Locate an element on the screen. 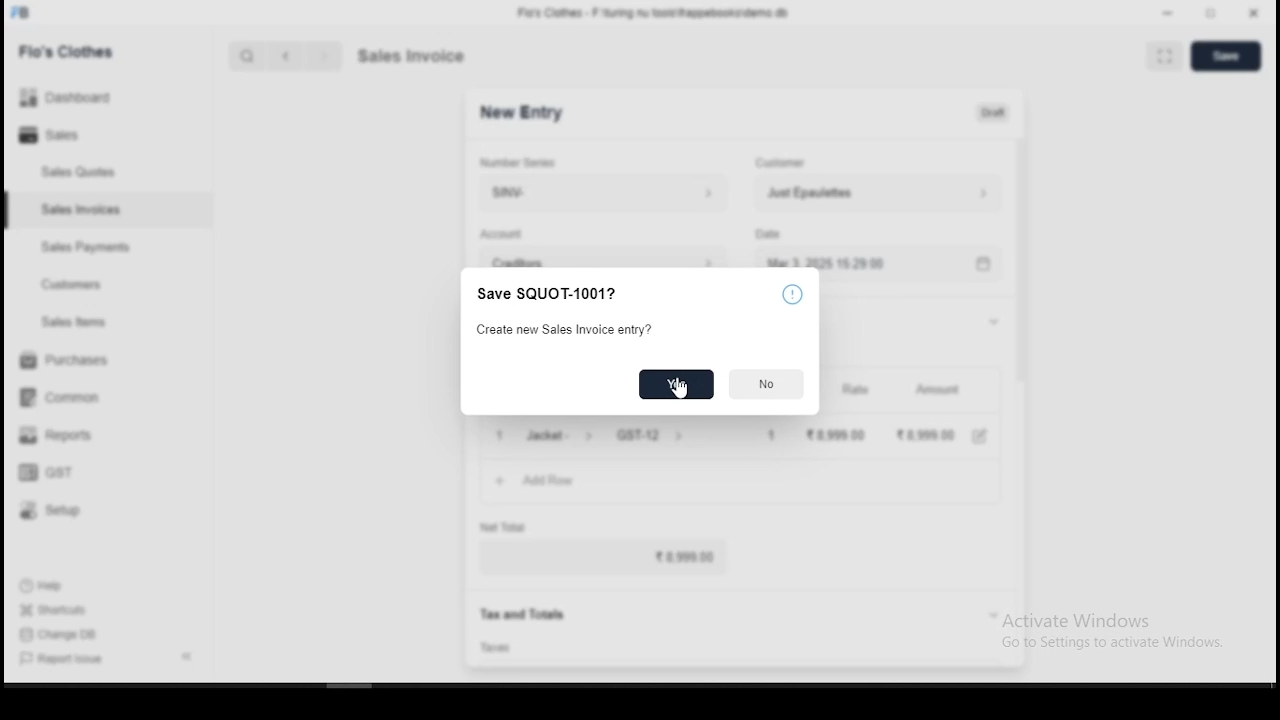 The width and height of the screenshot is (1280, 720). sales invoices is located at coordinates (86, 211).